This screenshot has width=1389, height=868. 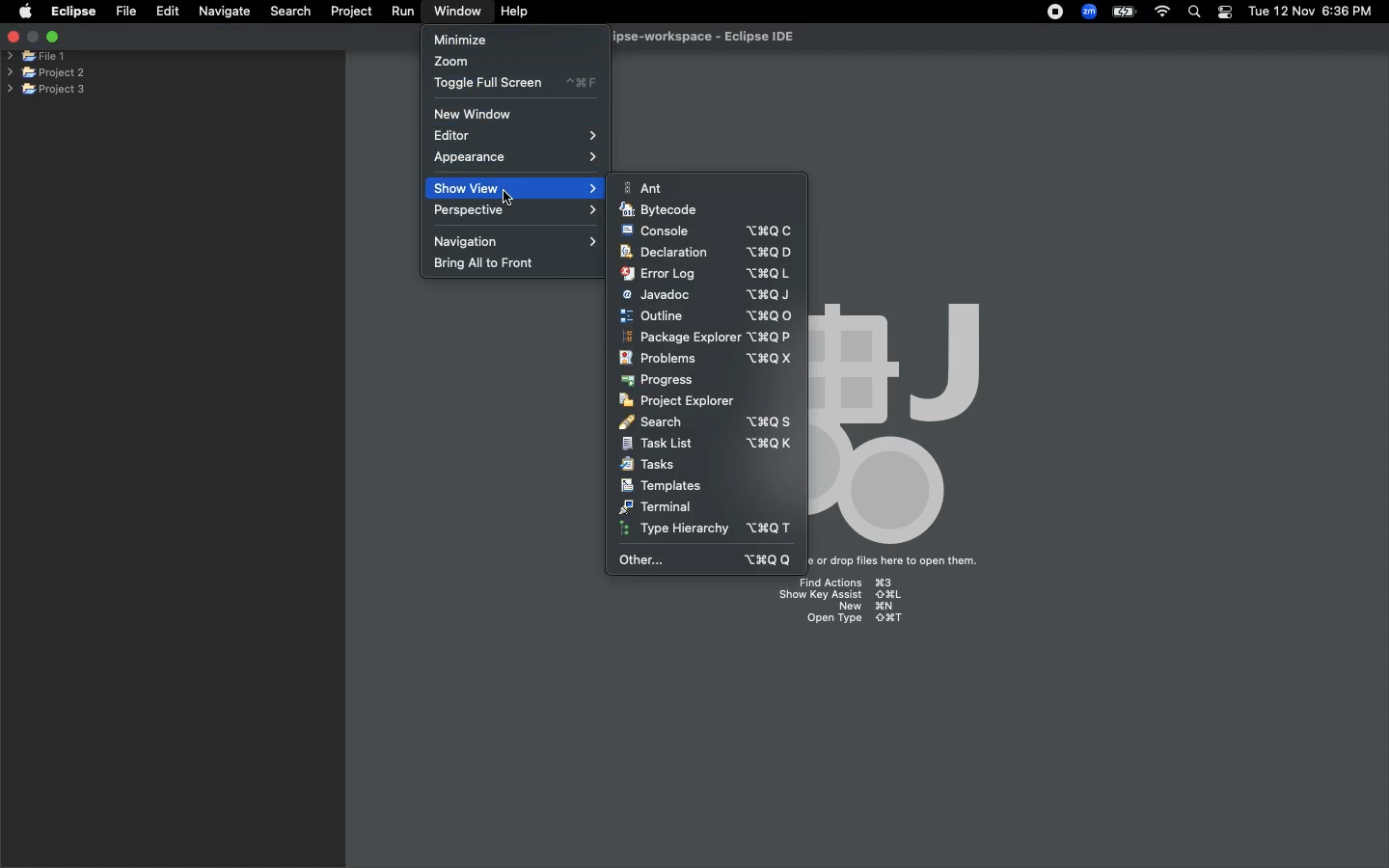 I want to click on Drag files here to open them, so click(x=901, y=561).